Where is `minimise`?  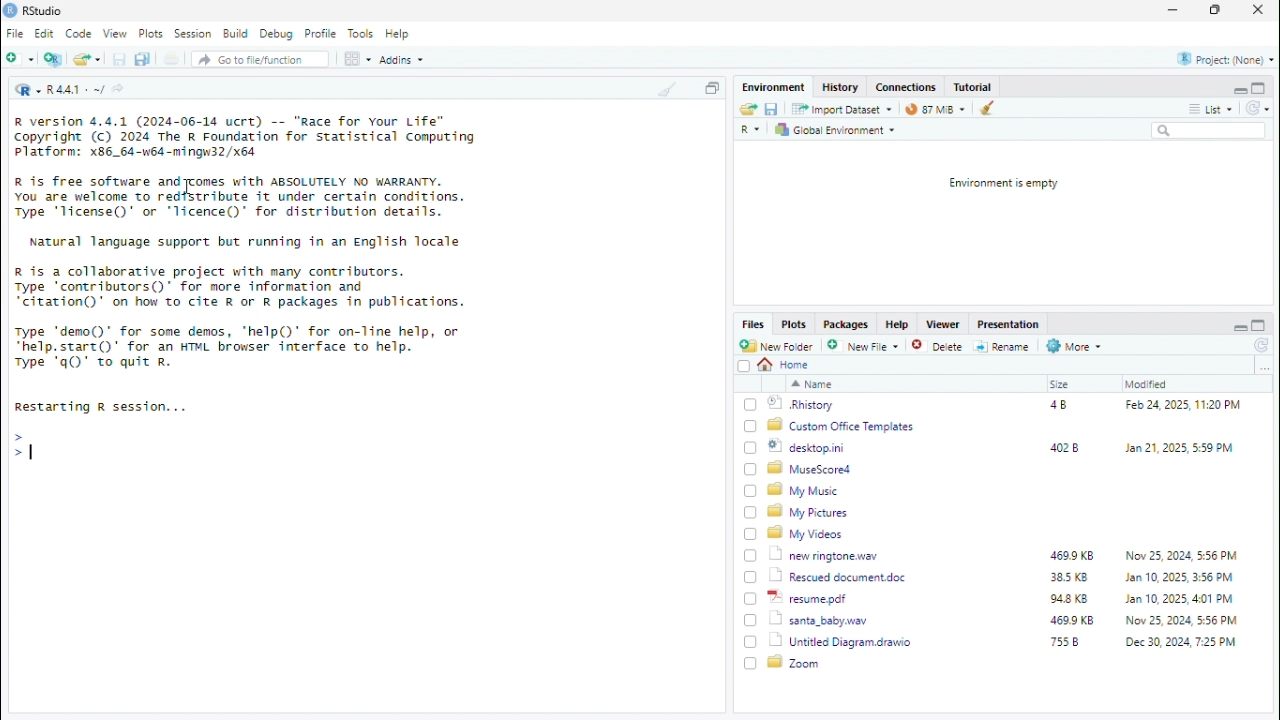
minimise is located at coordinates (1239, 328).